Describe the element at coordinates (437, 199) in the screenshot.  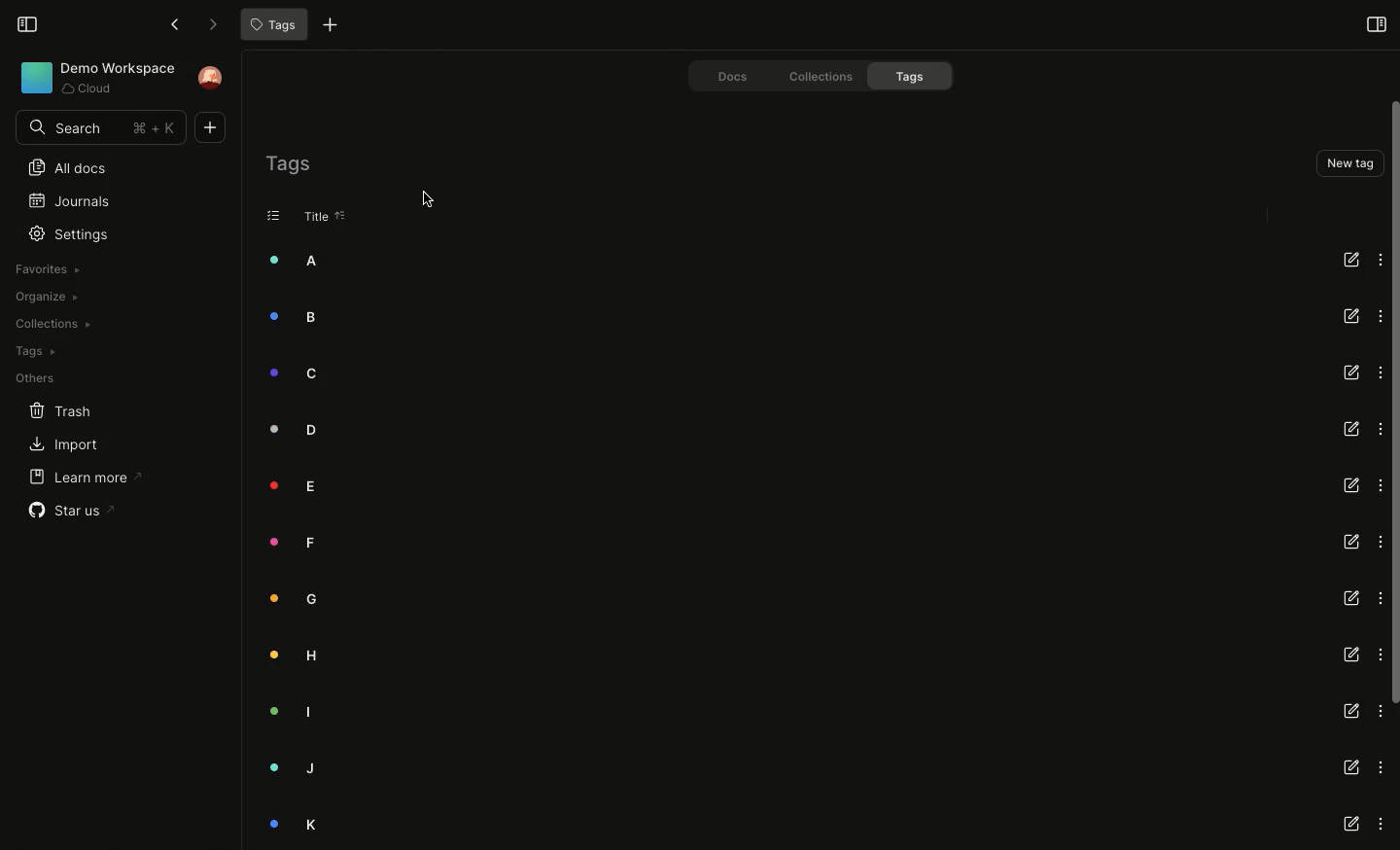
I see `cursor ` at that location.